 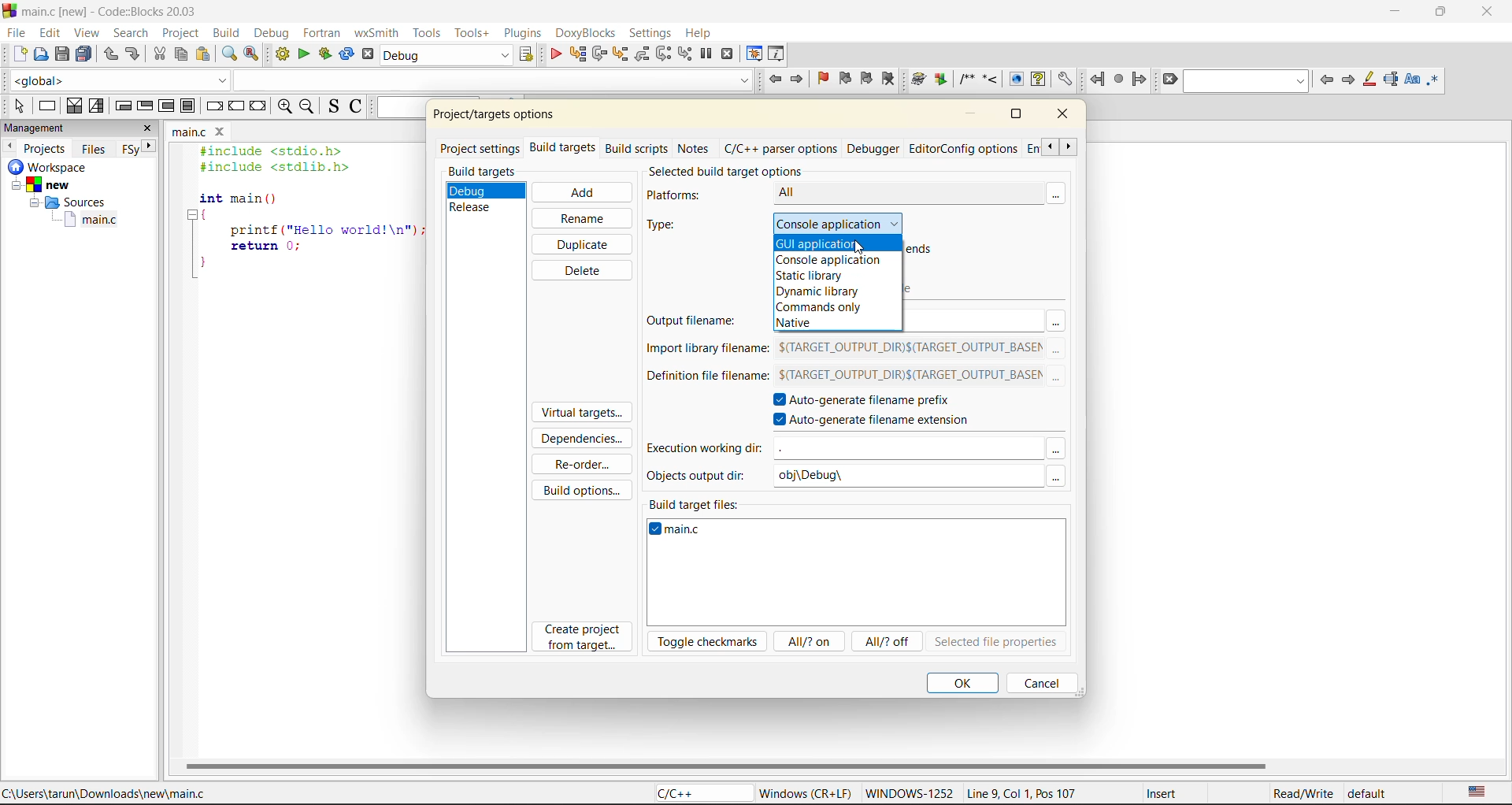 I want to click on break instruction, so click(x=213, y=107).